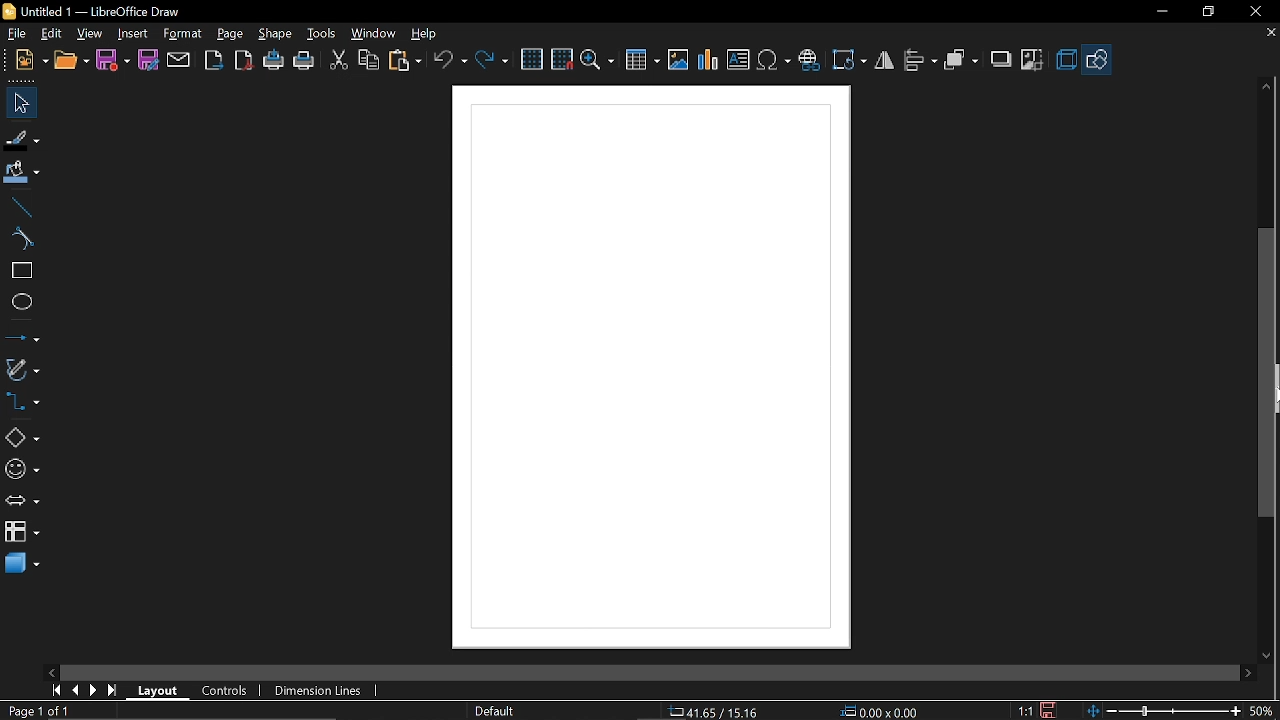  What do you see at coordinates (277, 35) in the screenshot?
I see `shape` at bounding box center [277, 35].